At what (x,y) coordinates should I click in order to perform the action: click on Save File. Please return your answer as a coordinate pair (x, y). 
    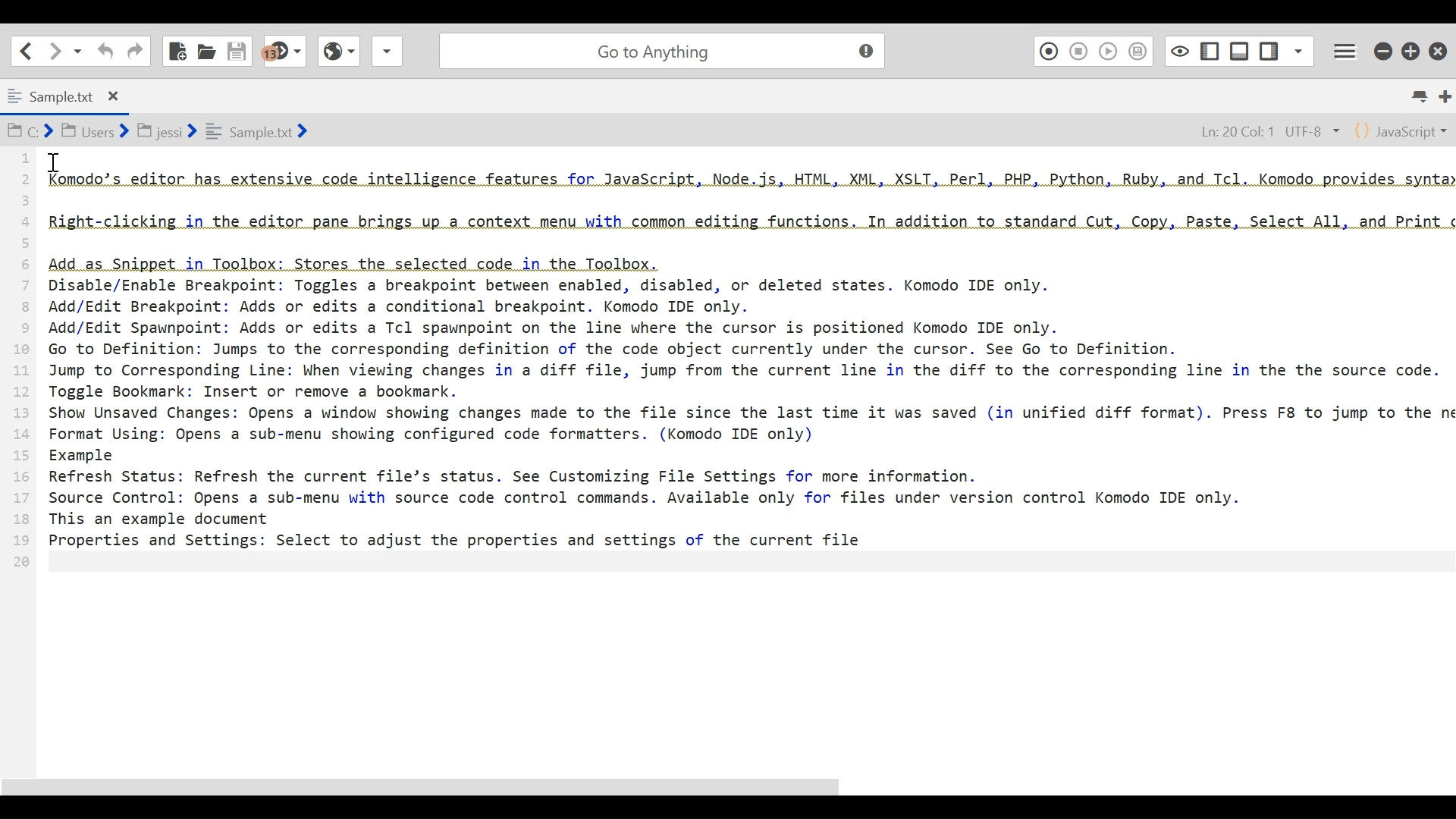
    Looking at the image, I should click on (239, 49).